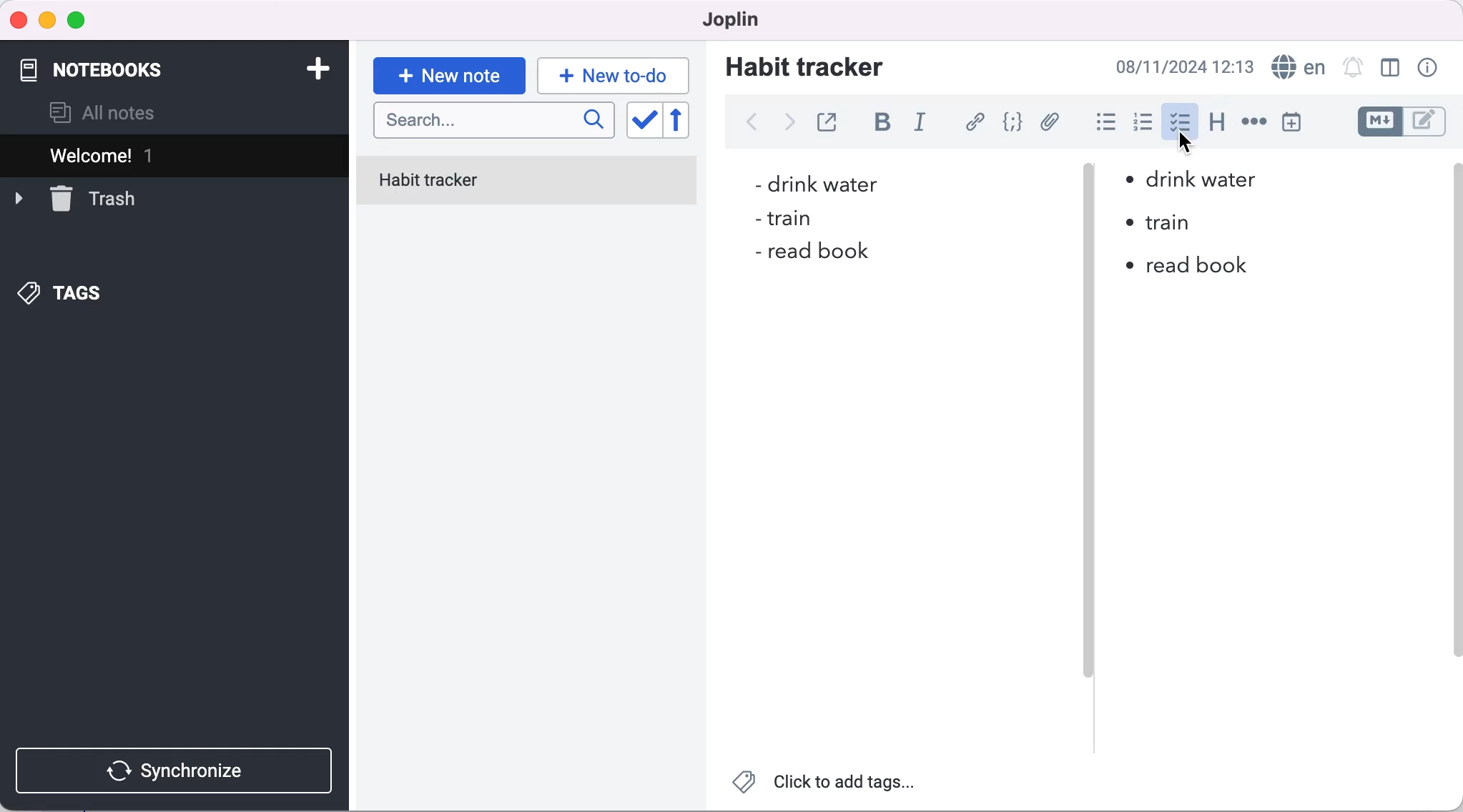 The height and width of the screenshot is (812, 1463). I want to click on - read book, so click(809, 255).